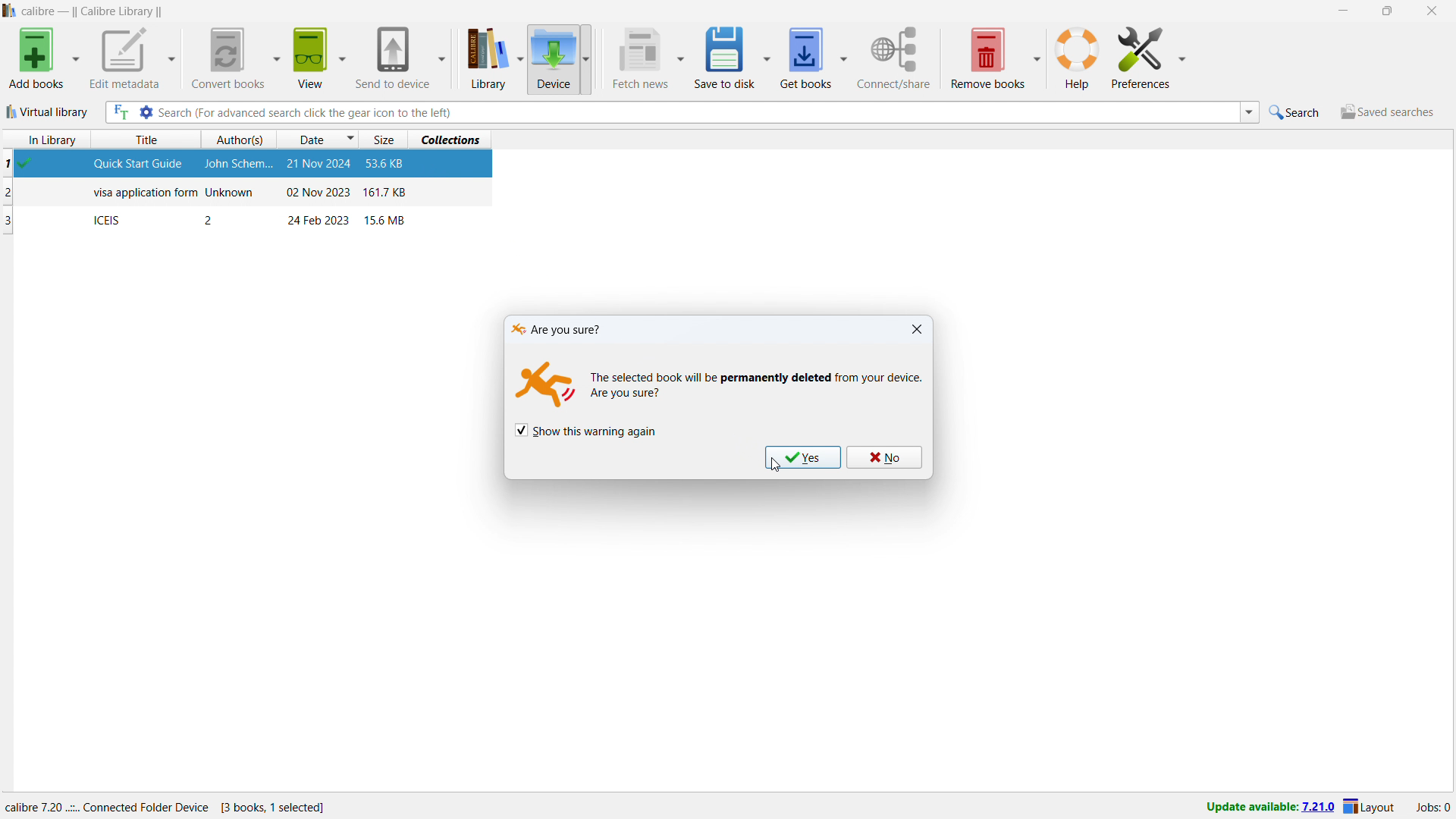  Describe the element at coordinates (1430, 11) in the screenshot. I see `close` at that location.